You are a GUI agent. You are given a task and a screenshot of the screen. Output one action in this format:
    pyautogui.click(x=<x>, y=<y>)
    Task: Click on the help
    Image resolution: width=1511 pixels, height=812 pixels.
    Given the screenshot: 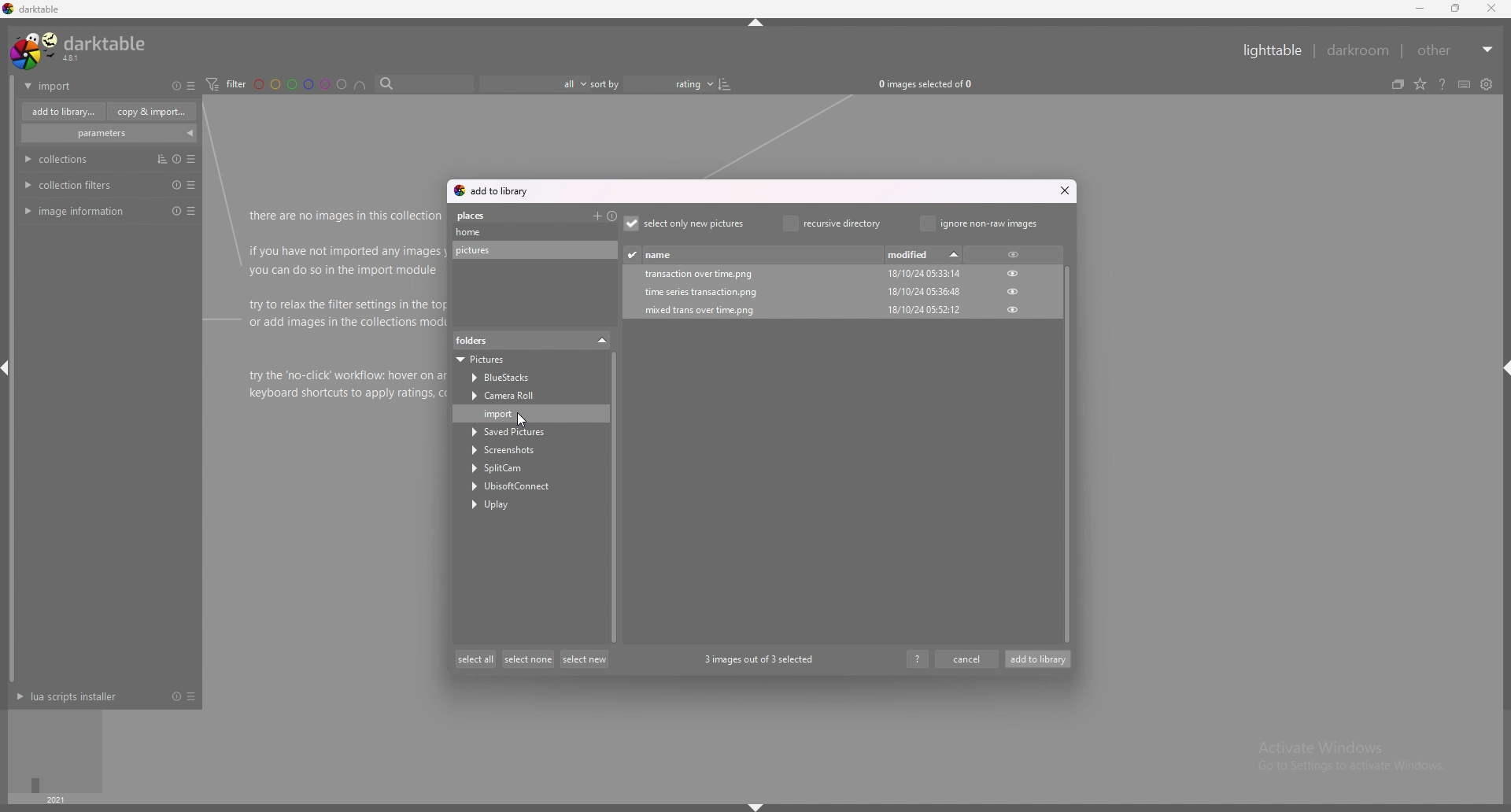 What is the action you would take?
    pyautogui.click(x=1443, y=84)
    